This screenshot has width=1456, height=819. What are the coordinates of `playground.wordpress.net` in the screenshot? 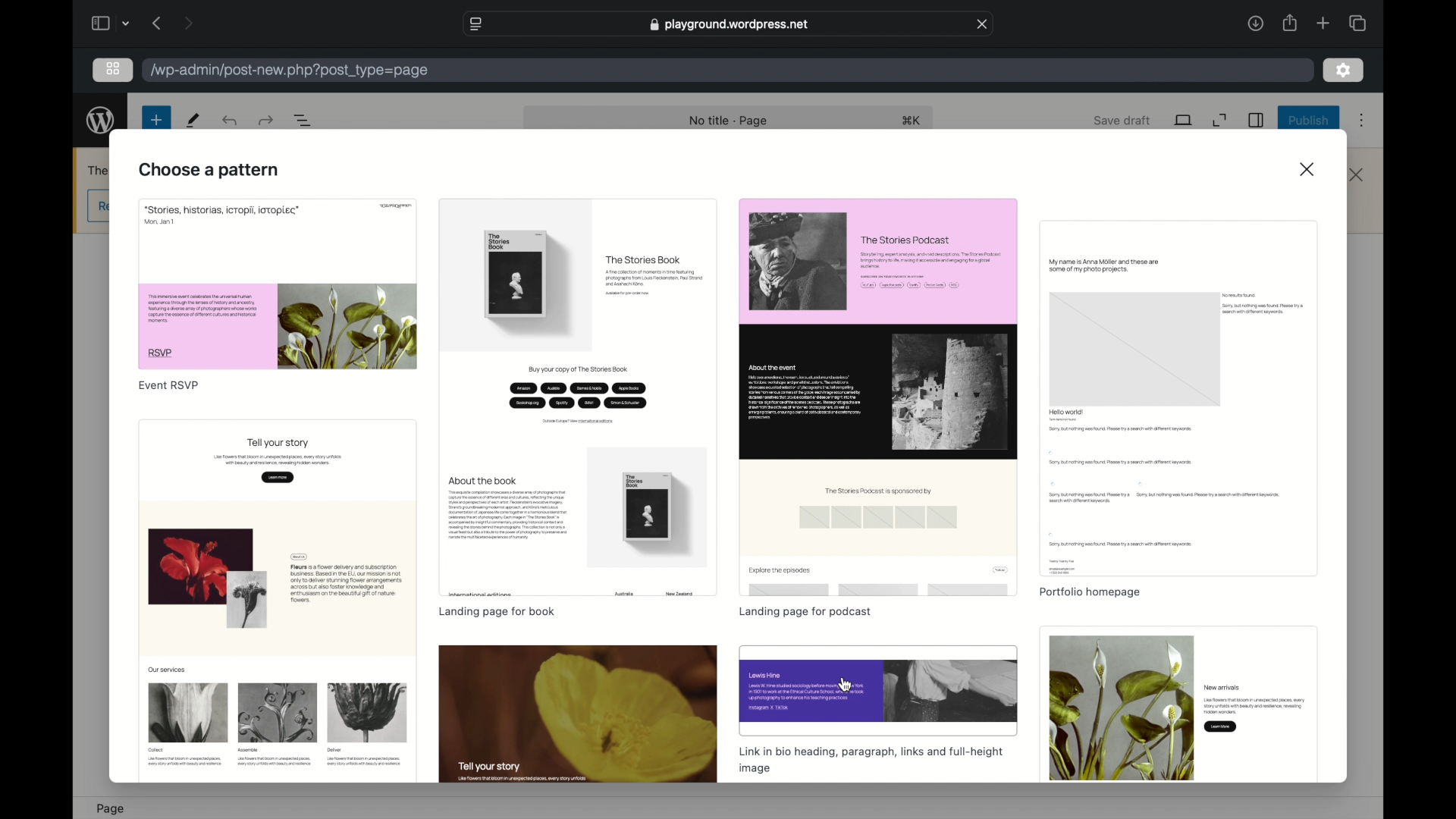 It's located at (731, 24).